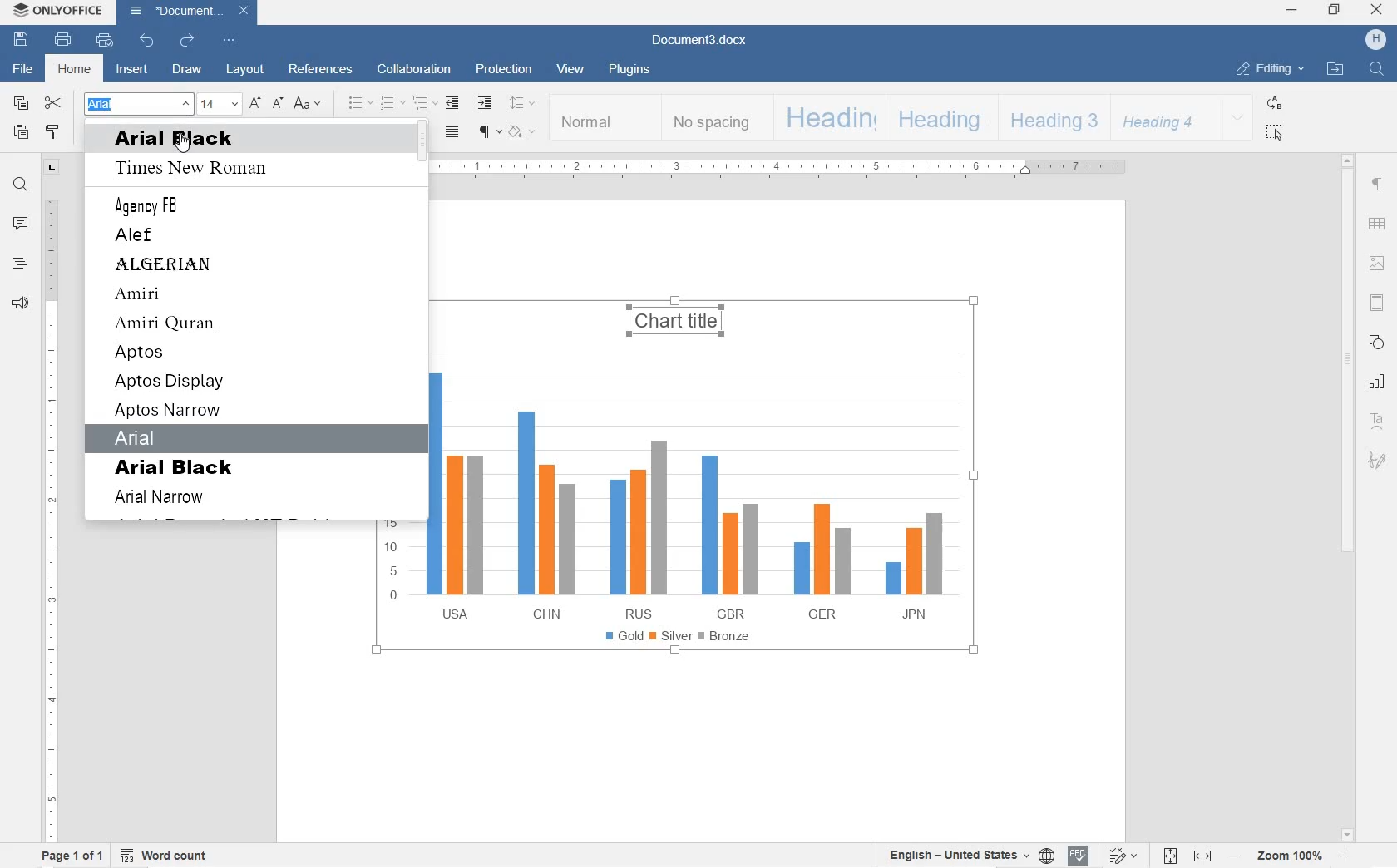 This screenshot has height=868, width=1397. Describe the element at coordinates (698, 42) in the screenshot. I see `Document3.docx` at that location.